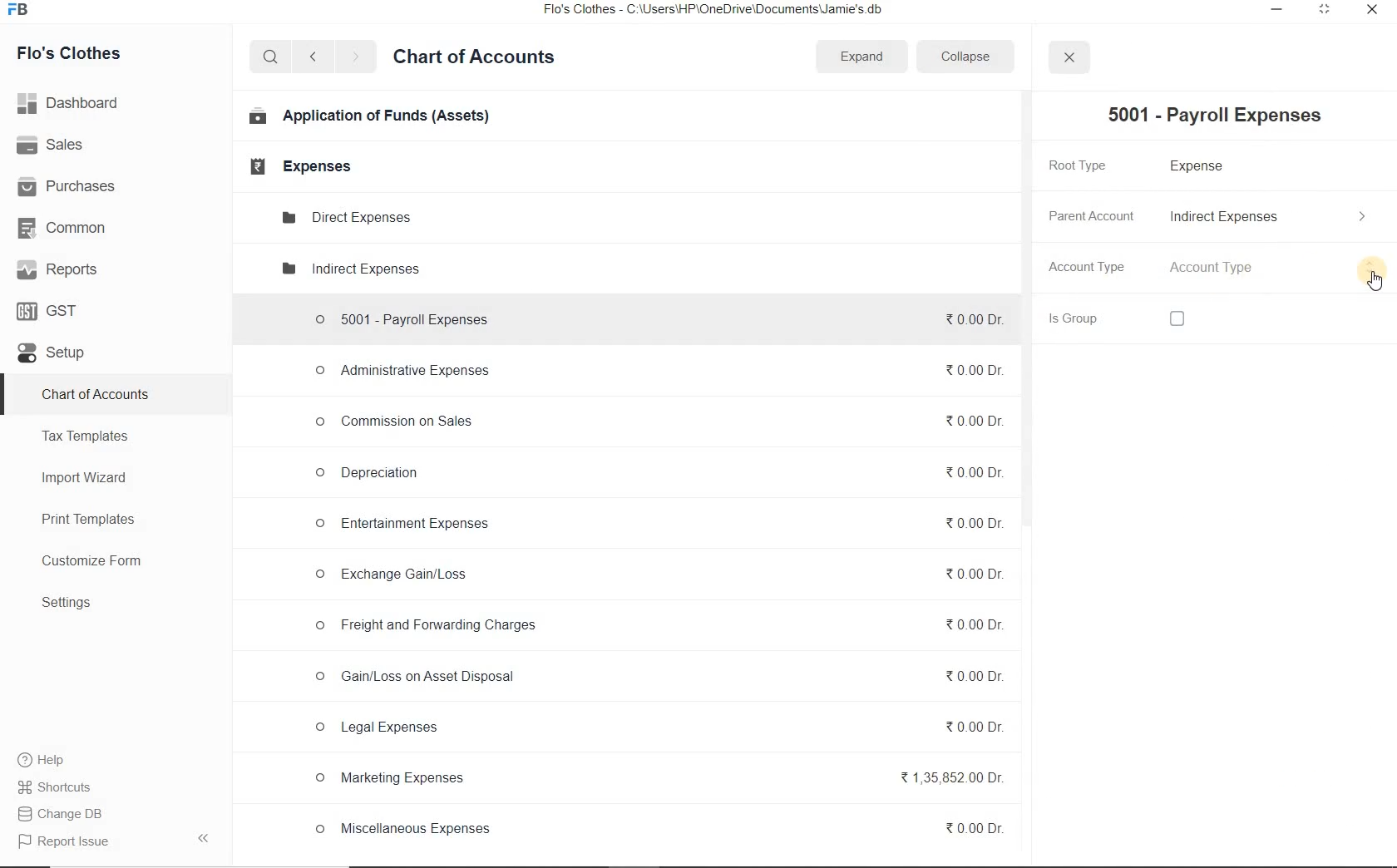 Image resolution: width=1397 pixels, height=868 pixels. What do you see at coordinates (88, 520) in the screenshot?
I see `Print Templates` at bounding box center [88, 520].